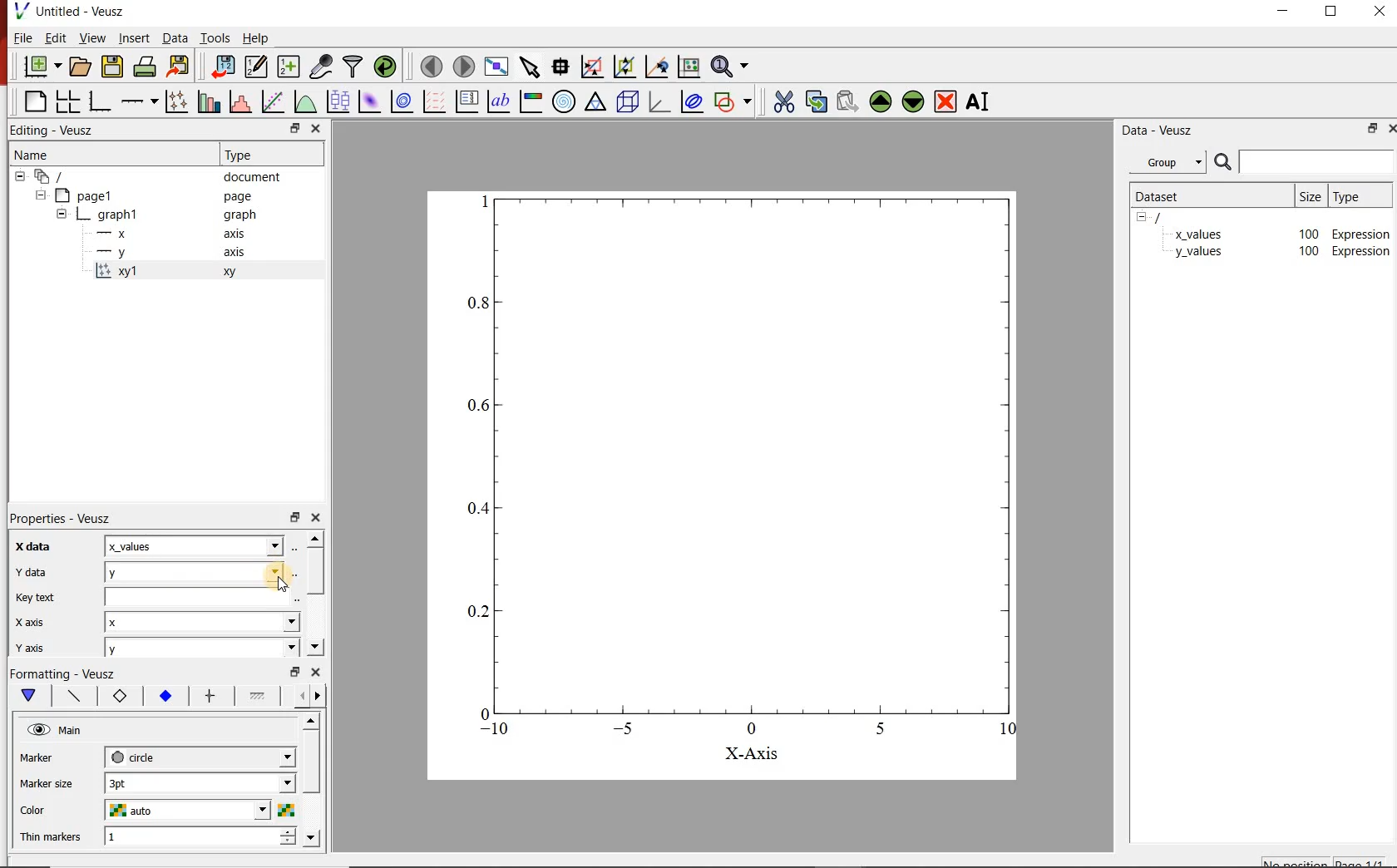  What do you see at coordinates (197, 596) in the screenshot?
I see `input key text` at bounding box center [197, 596].